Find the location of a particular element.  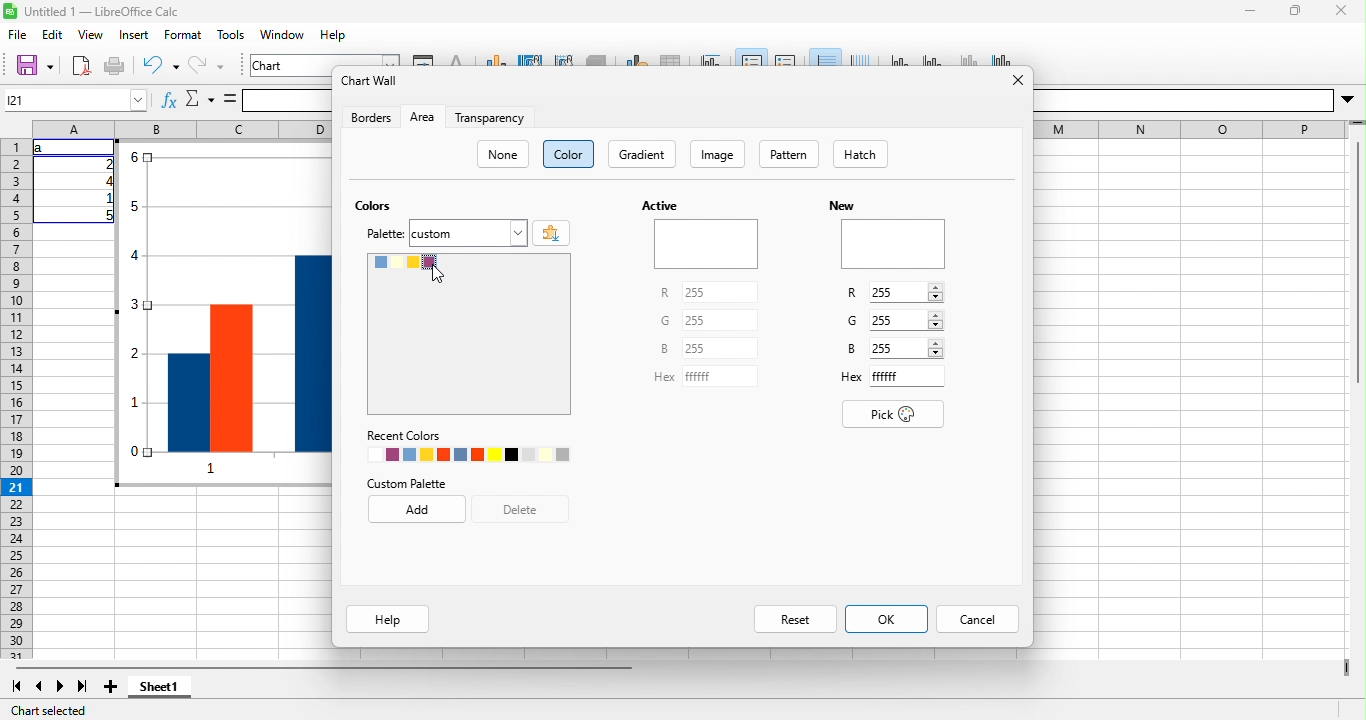

custom colors is located at coordinates (469, 334).